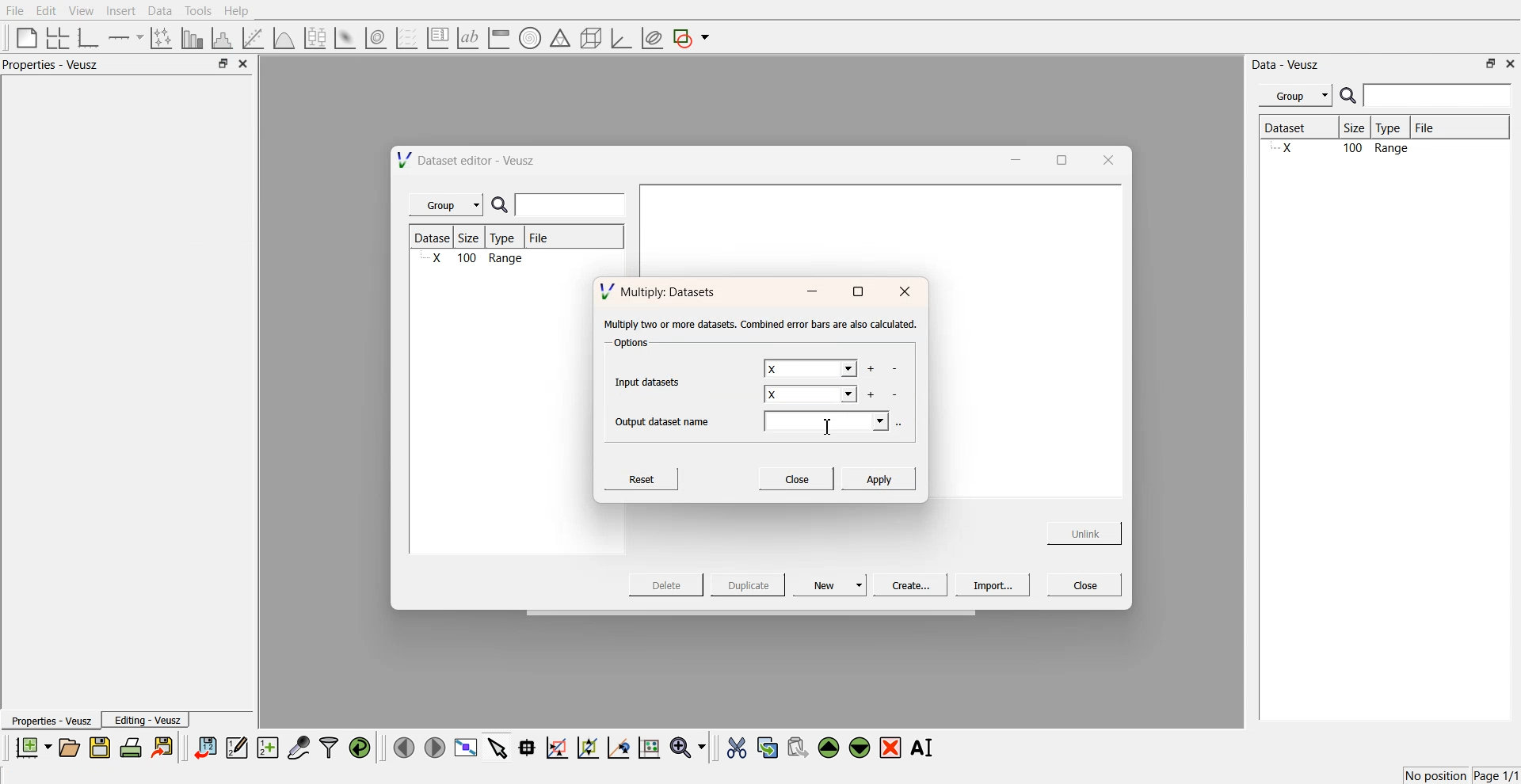  I want to click on Import..., so click(993, 585).